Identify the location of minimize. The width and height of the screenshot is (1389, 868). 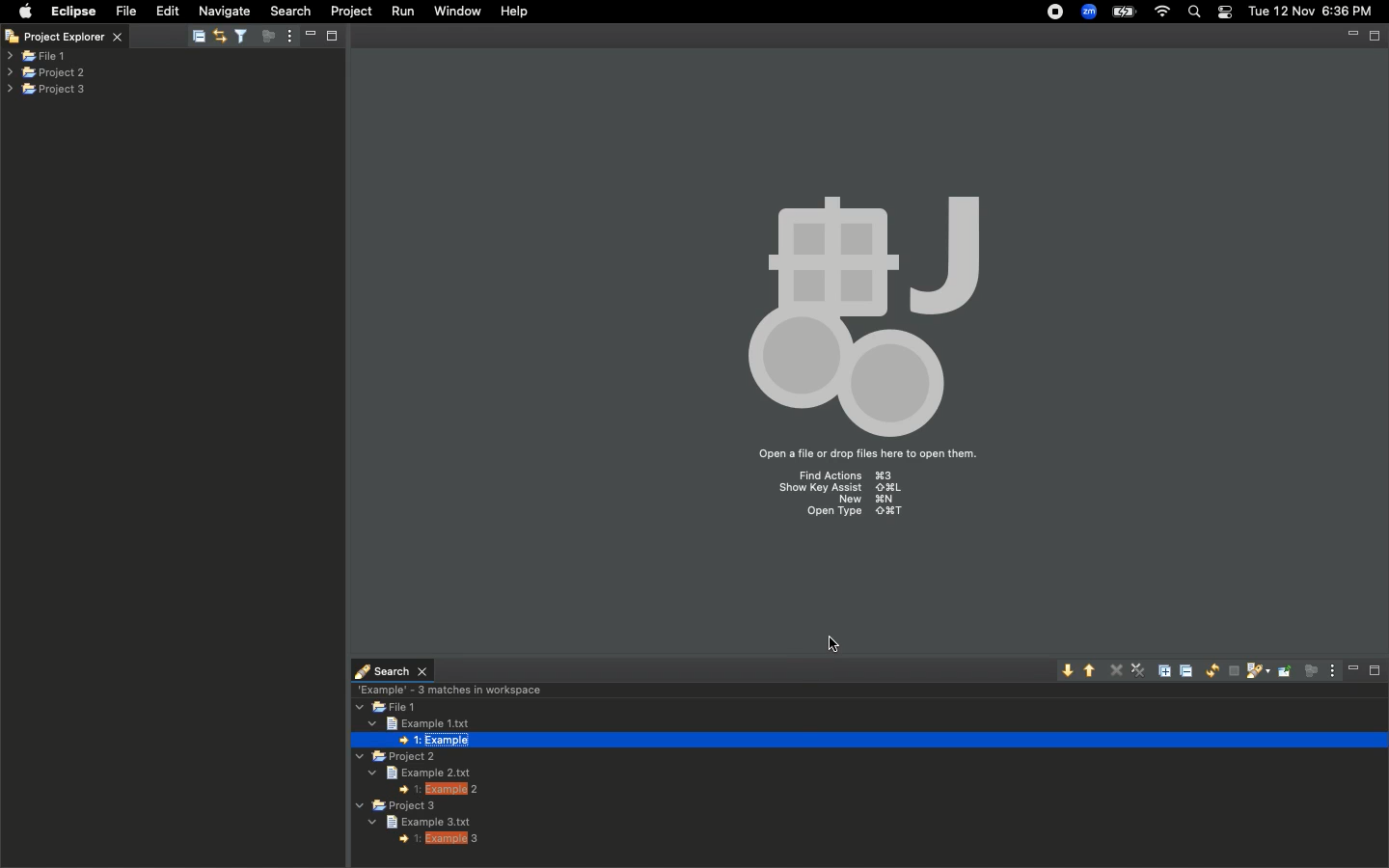
(309, 35).